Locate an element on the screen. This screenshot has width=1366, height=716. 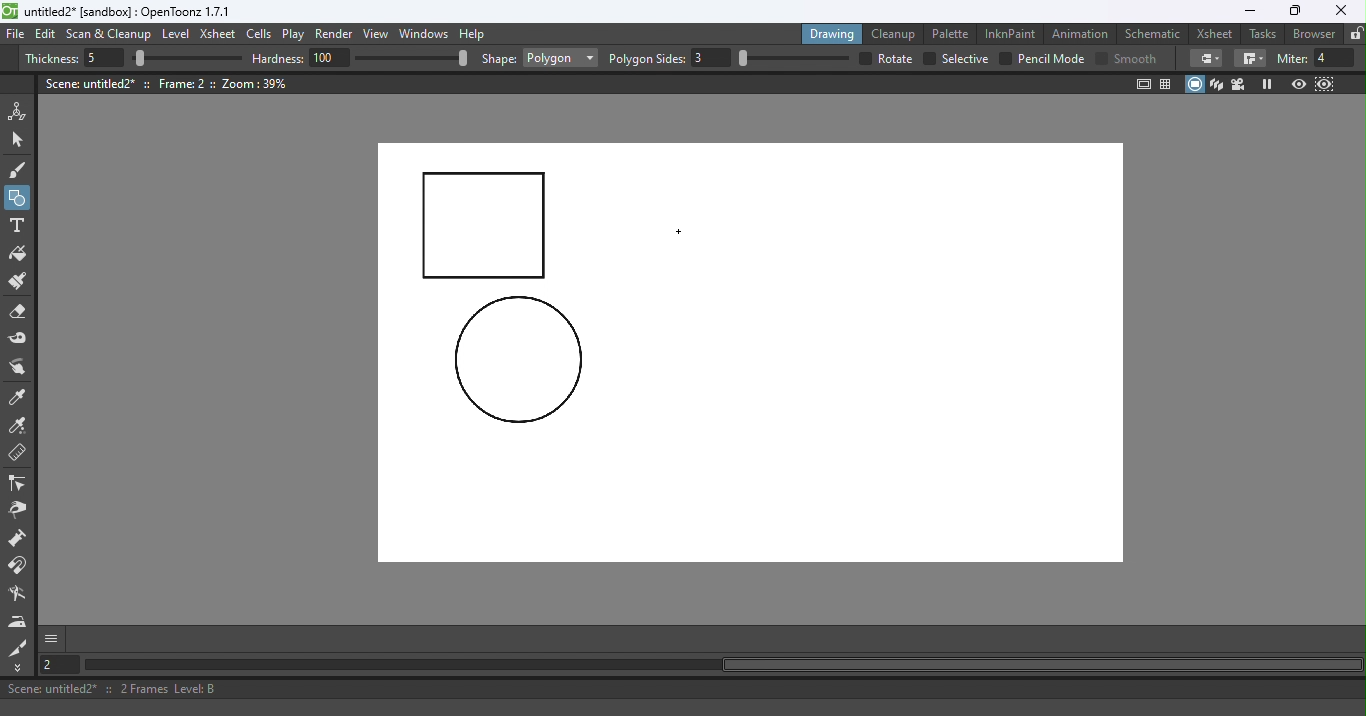
Cells is located at coordinates (262, 35).